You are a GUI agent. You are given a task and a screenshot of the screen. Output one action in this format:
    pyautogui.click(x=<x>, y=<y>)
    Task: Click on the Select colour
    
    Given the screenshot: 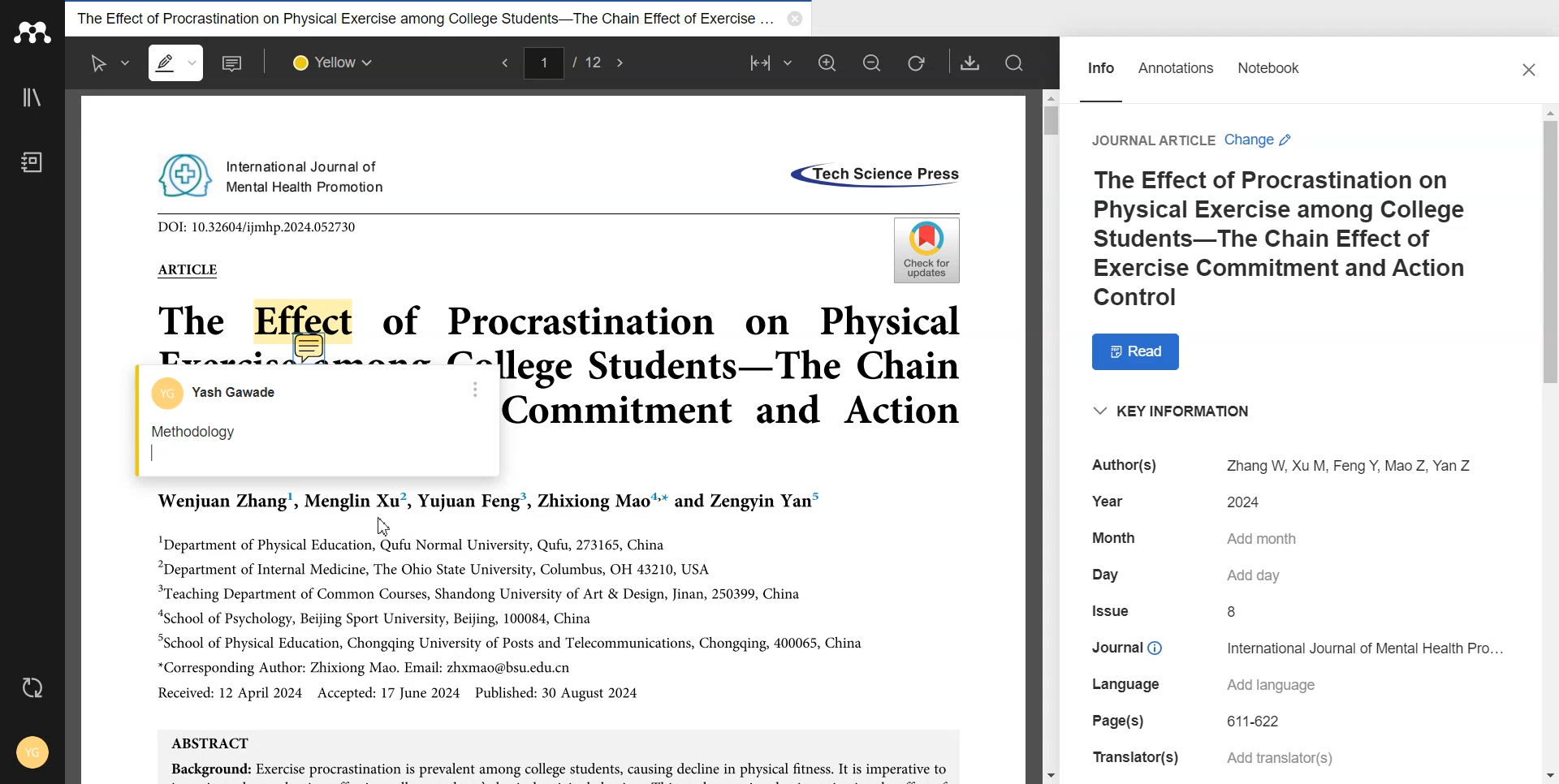 What is the action you would take?
    pyautogui.click(x=336, y=64)
    